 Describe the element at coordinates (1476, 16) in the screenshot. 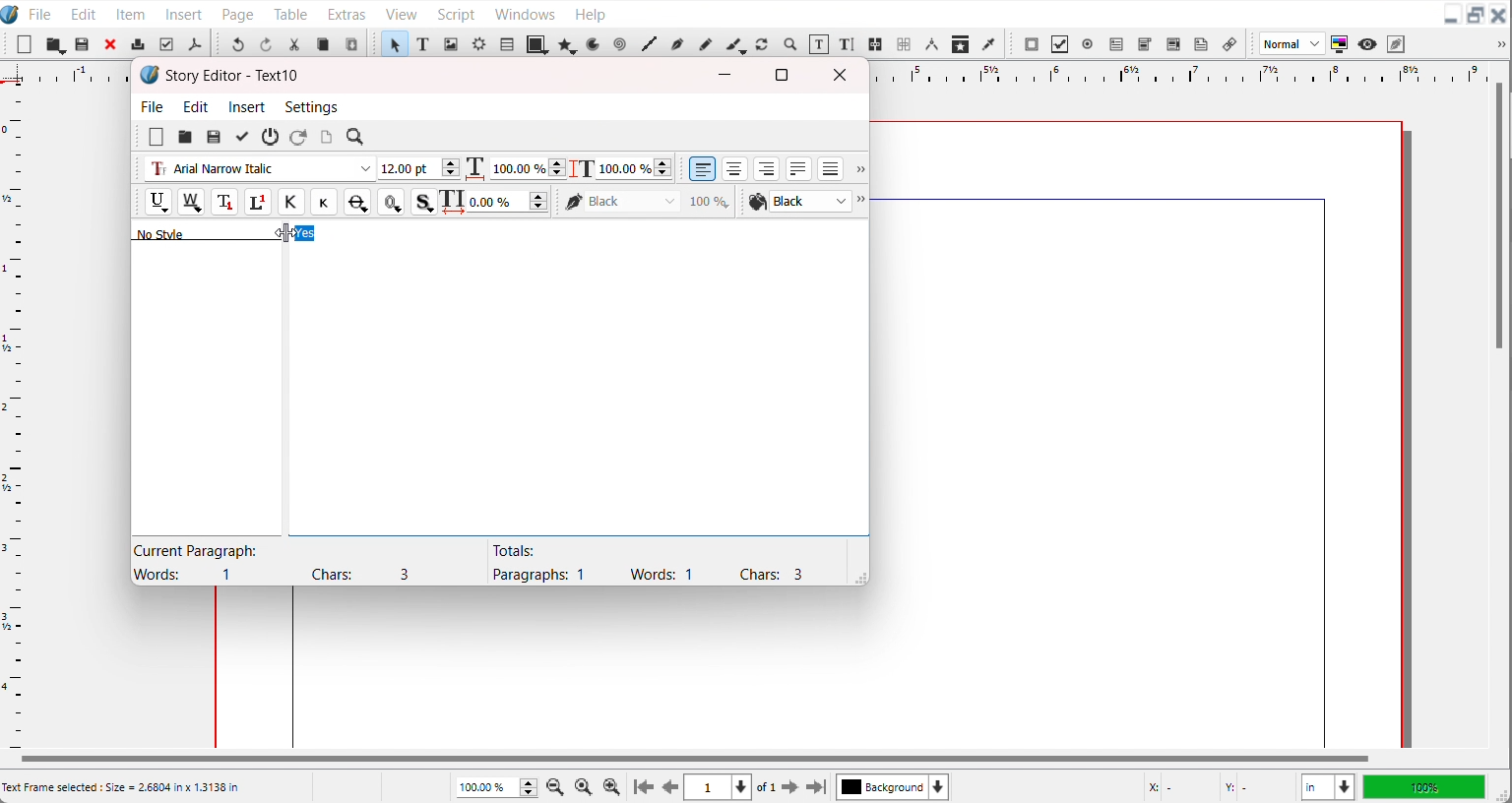

I see `Maximize` at that location.